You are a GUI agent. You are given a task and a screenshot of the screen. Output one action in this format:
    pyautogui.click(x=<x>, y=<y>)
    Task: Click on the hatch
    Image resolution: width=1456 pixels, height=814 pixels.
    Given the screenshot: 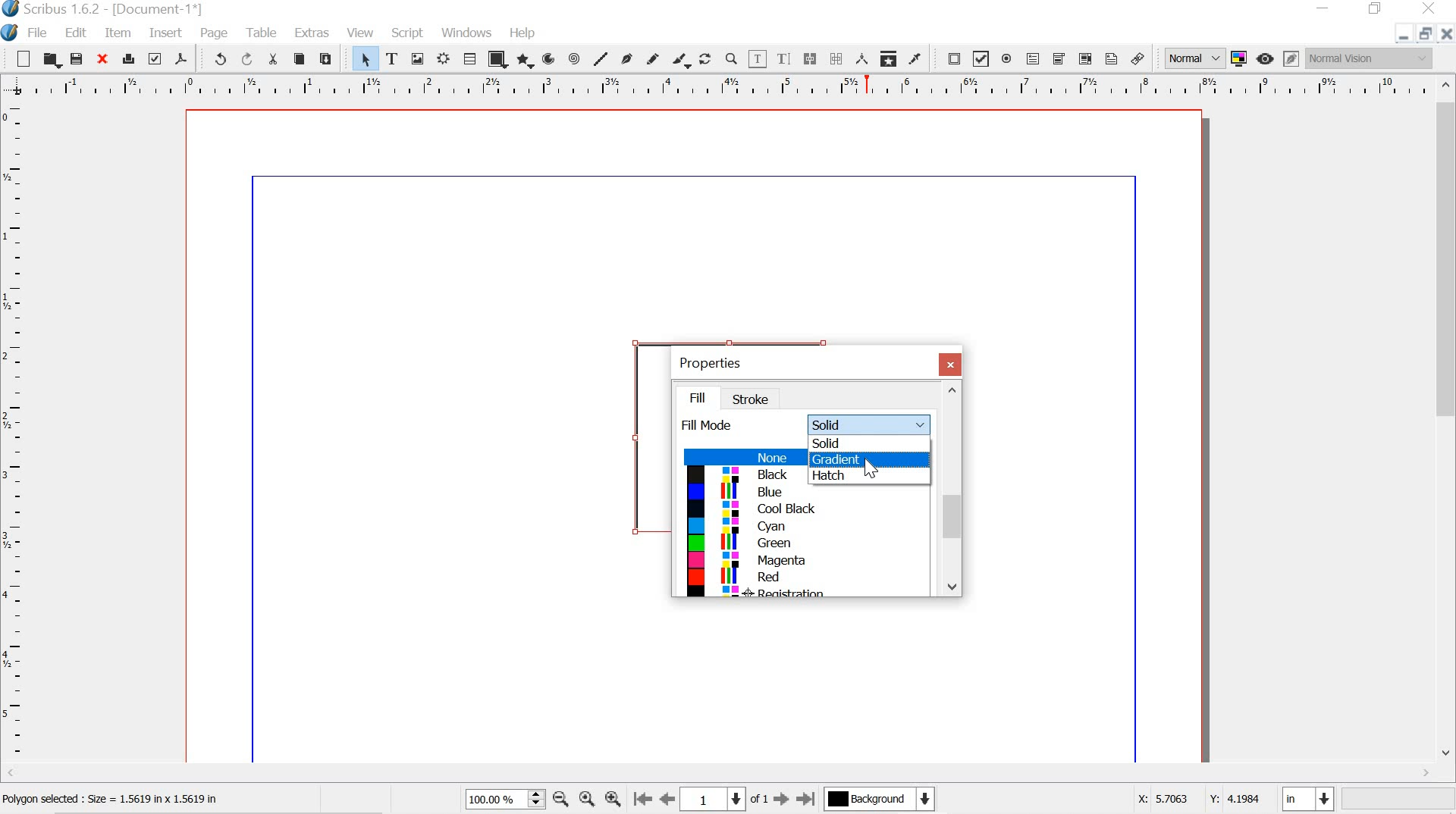 What is the action you would take?
    pyautogui.click(x=859, y=476)
    